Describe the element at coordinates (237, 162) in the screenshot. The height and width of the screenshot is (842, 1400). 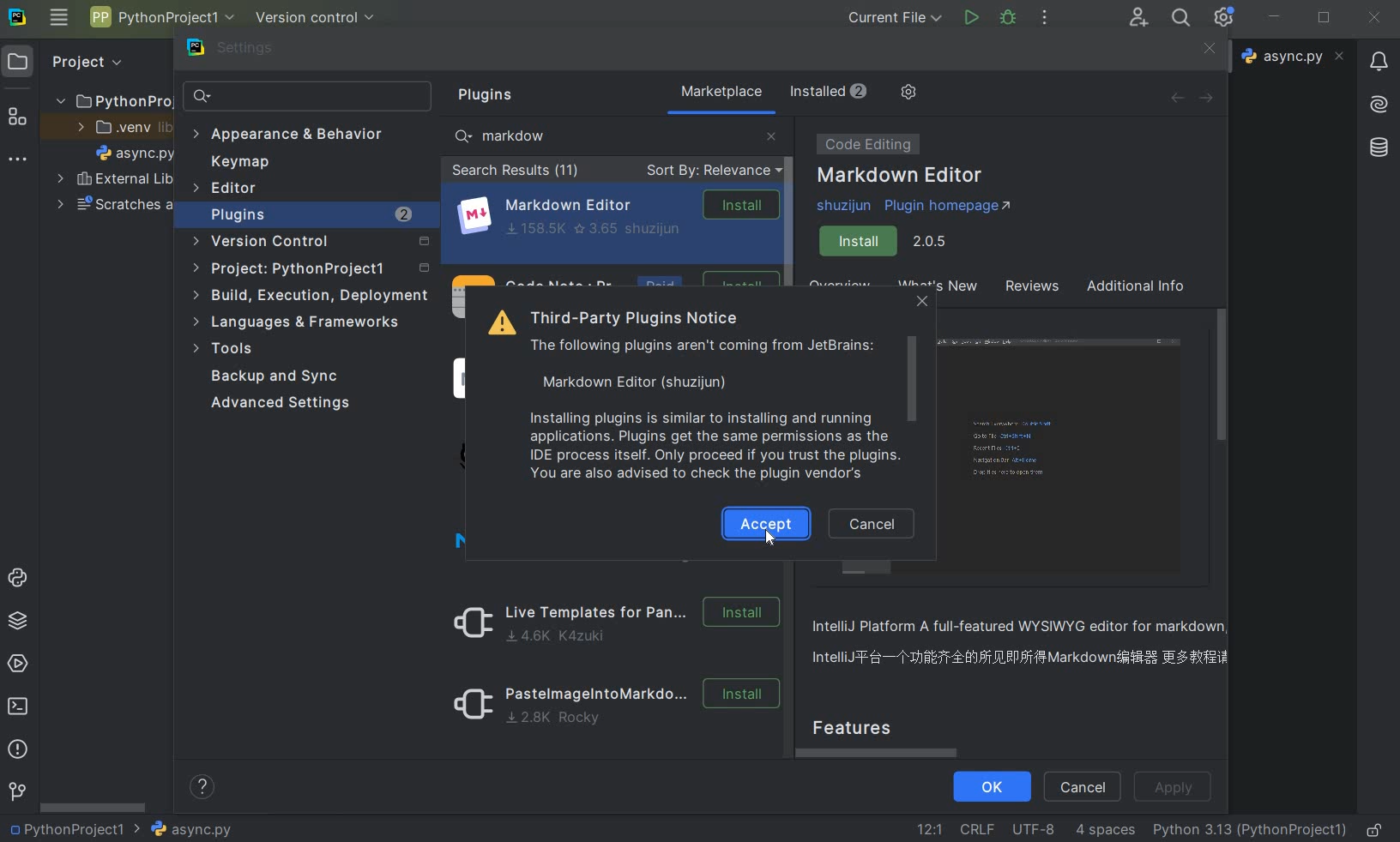
I see `keymap` at that location.